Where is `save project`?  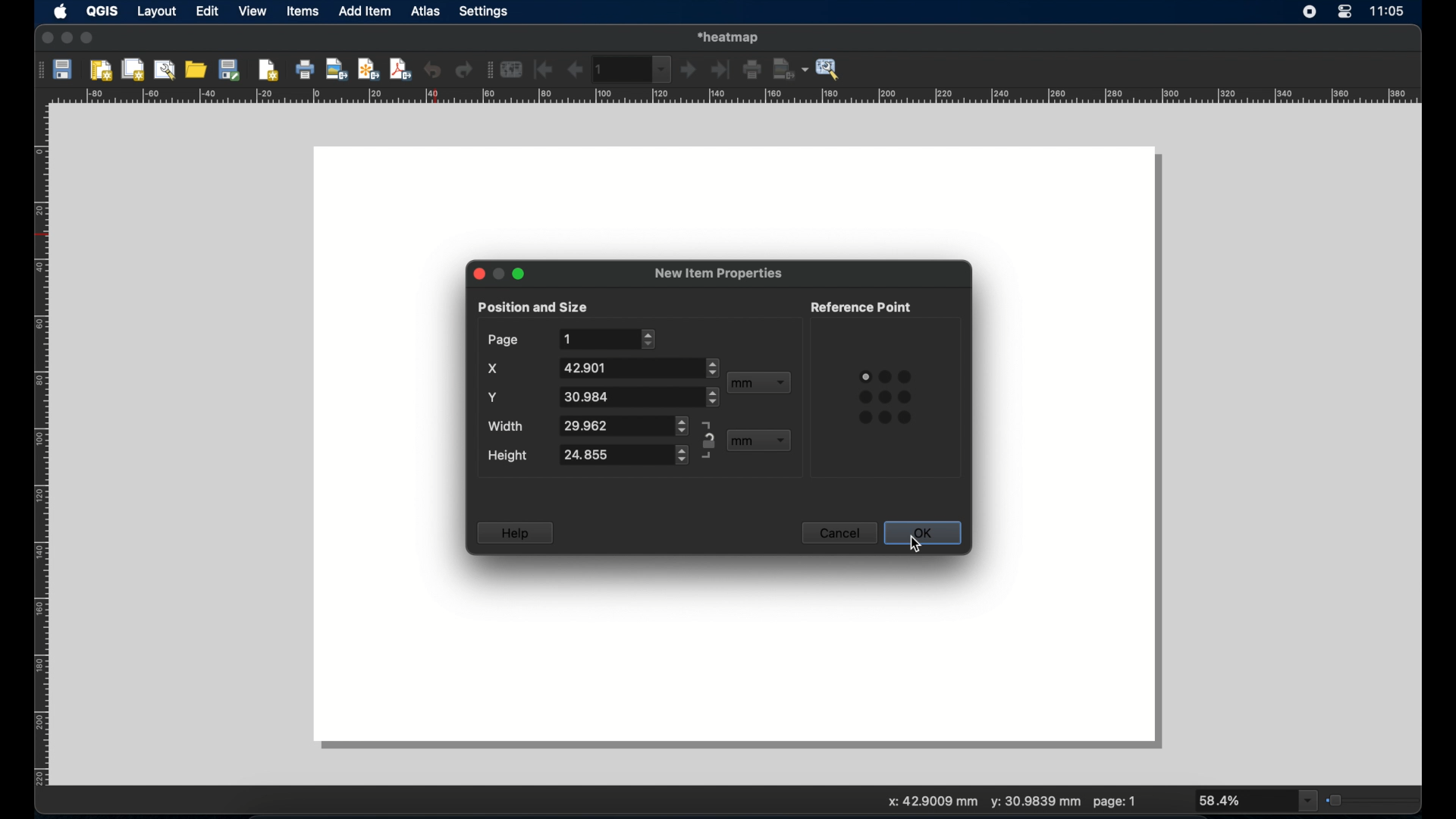
save project is located at coordinates (64, 71).